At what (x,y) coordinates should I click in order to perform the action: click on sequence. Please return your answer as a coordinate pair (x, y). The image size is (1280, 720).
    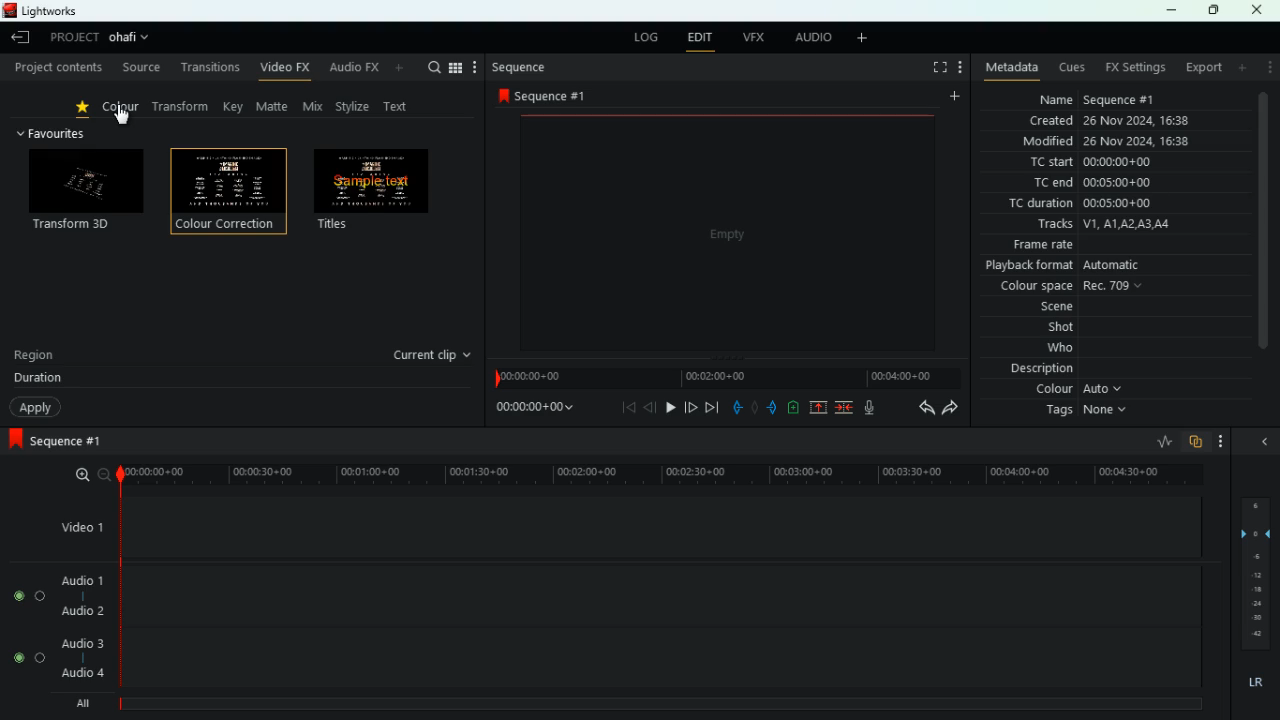
    Looking at the image, I should click on (520, 68).